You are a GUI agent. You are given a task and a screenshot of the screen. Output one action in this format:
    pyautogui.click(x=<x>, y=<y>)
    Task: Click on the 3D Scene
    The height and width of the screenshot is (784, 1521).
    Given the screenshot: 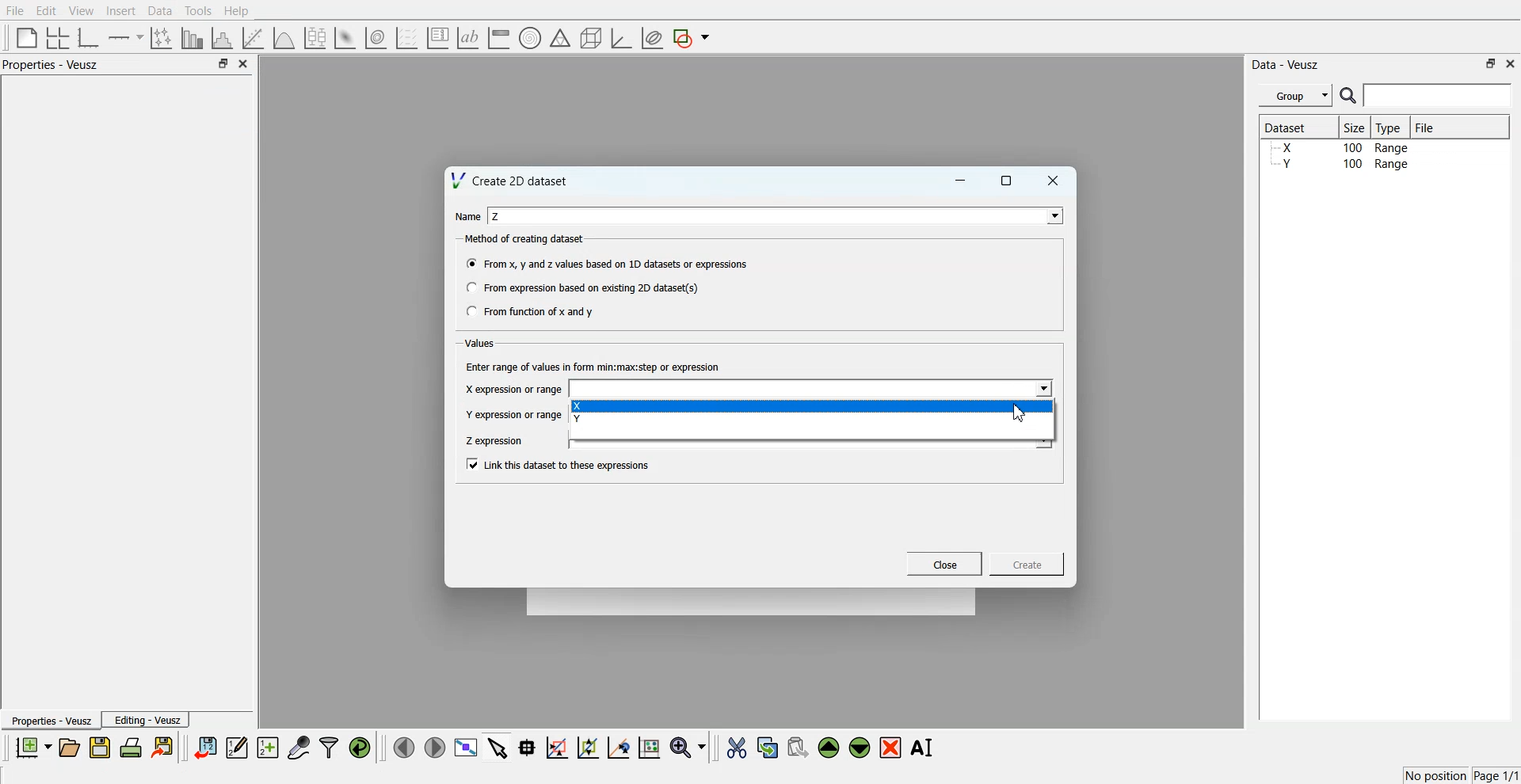 What is the action you would take?
    pyautogui.click(x=592, y=39)
    